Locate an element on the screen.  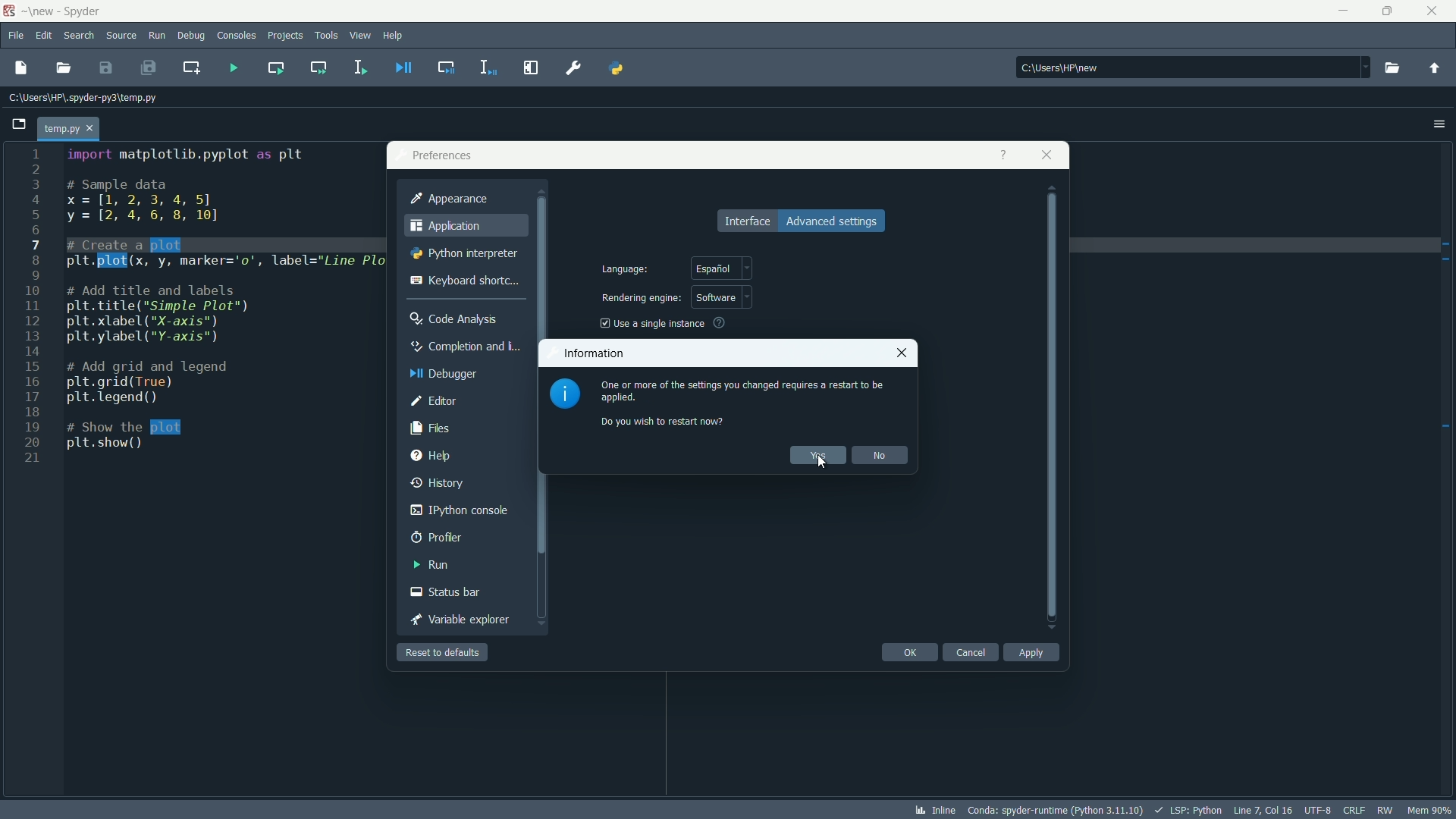
application is located at coordinates (447, 226).